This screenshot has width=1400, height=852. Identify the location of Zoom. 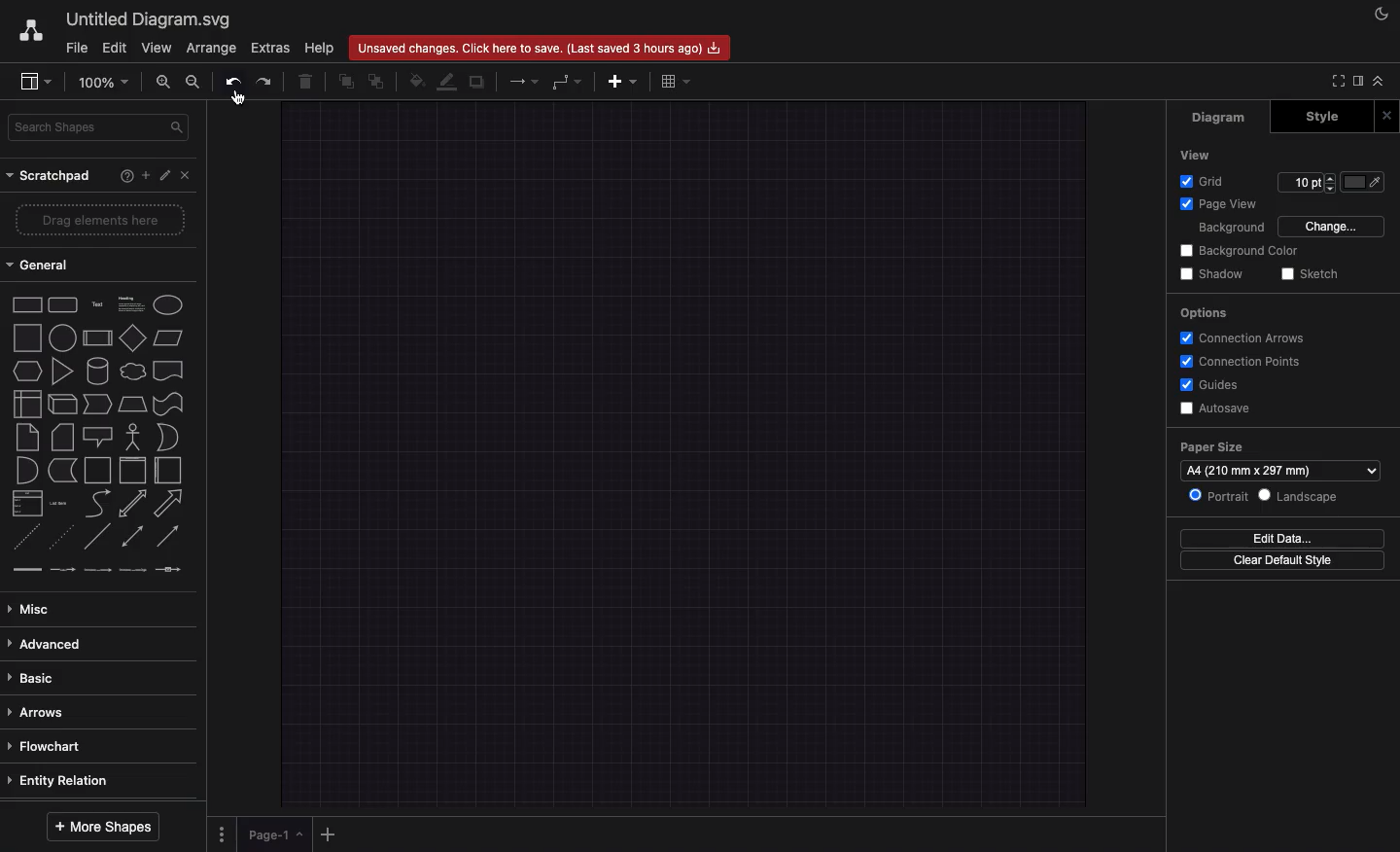
(102, 85).